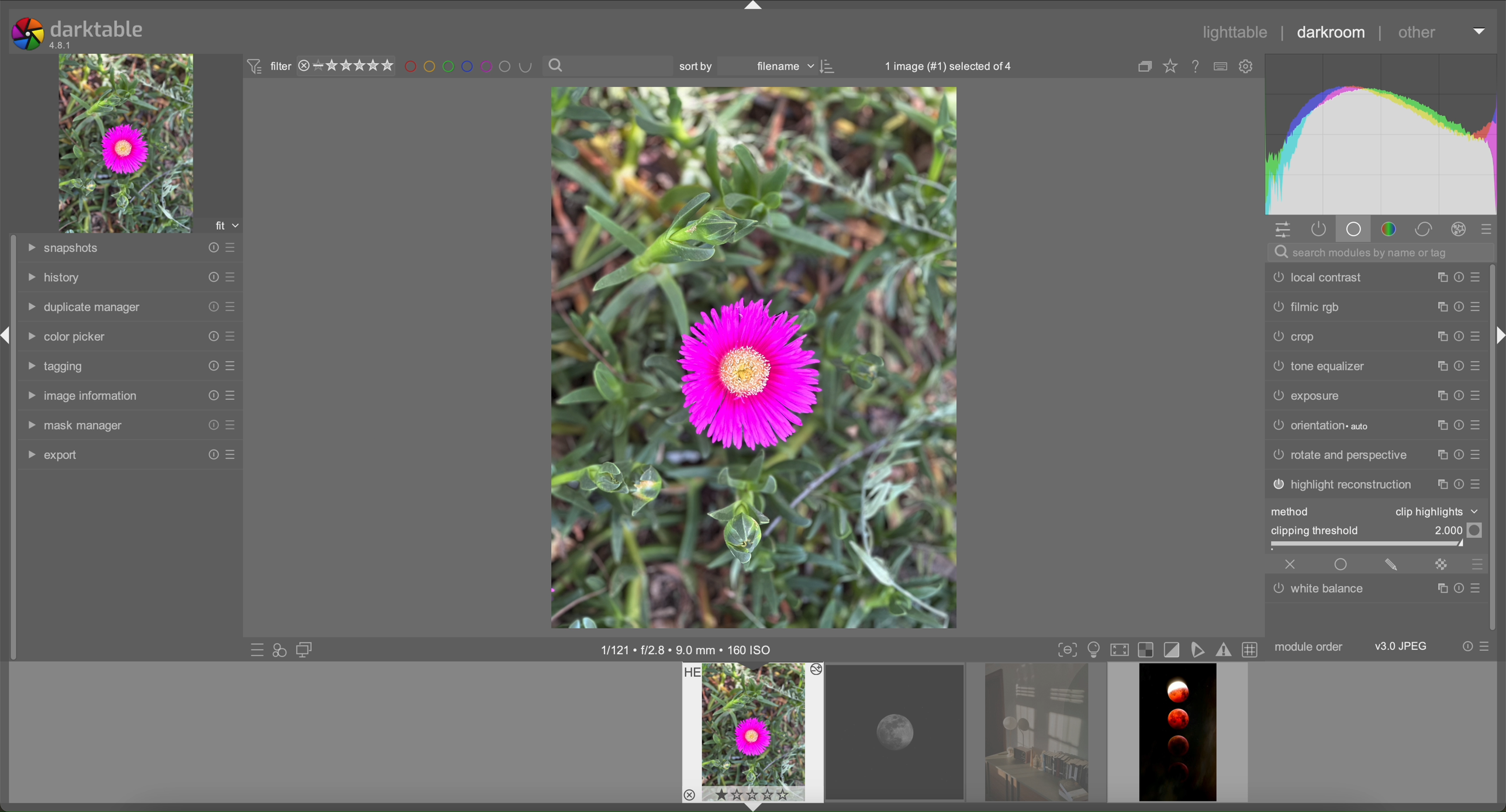  Describe the element at coordinates (1424, 229) in the screenshot. I see `correct` at that location.